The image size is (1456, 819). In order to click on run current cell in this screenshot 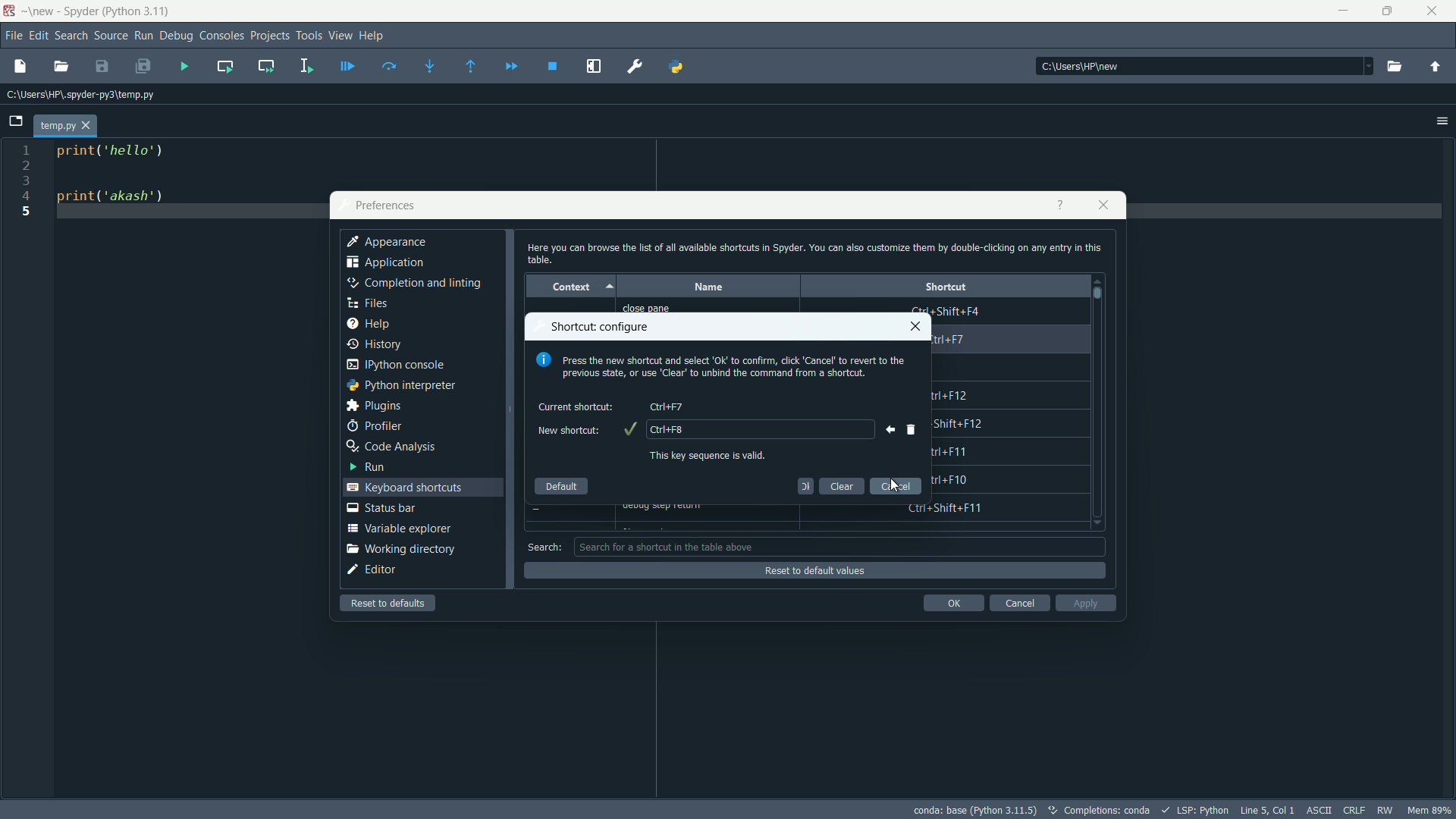, I will do `click(225, 66)`.